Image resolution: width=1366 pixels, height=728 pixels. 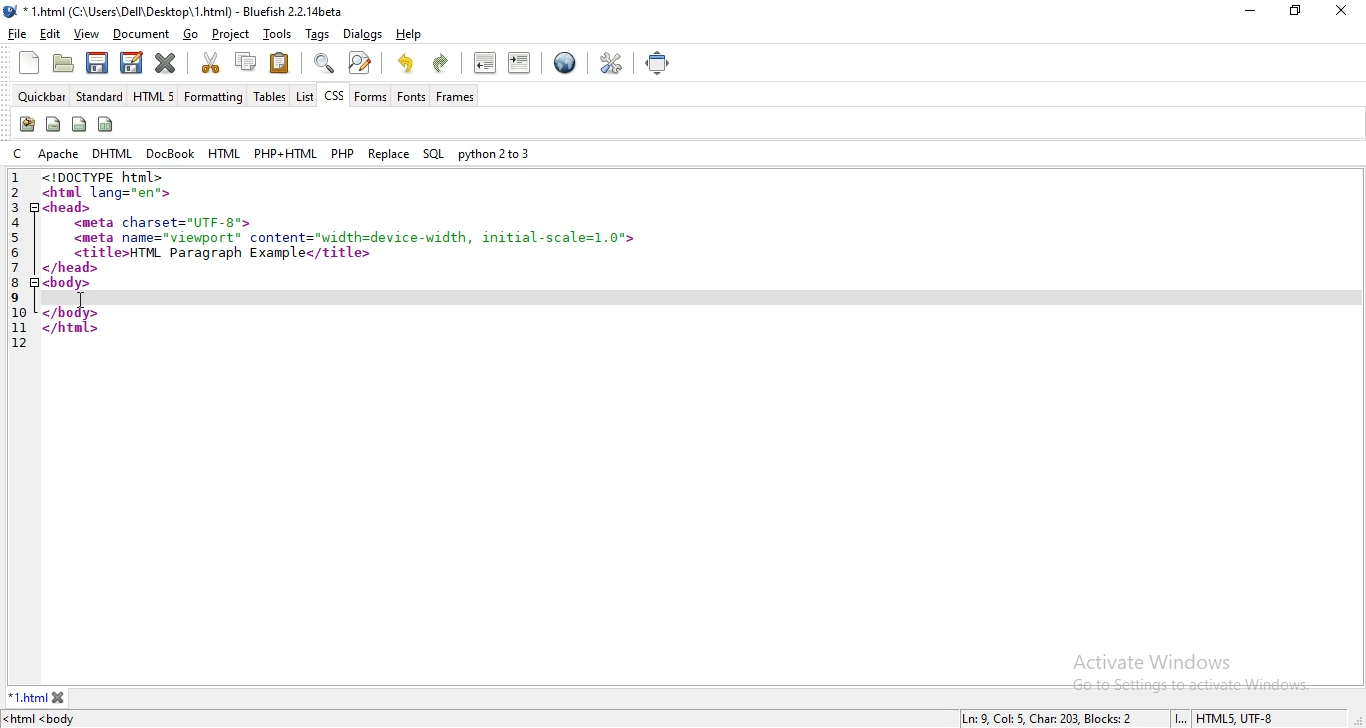 I want to click on file, so click(x=20, y=33).